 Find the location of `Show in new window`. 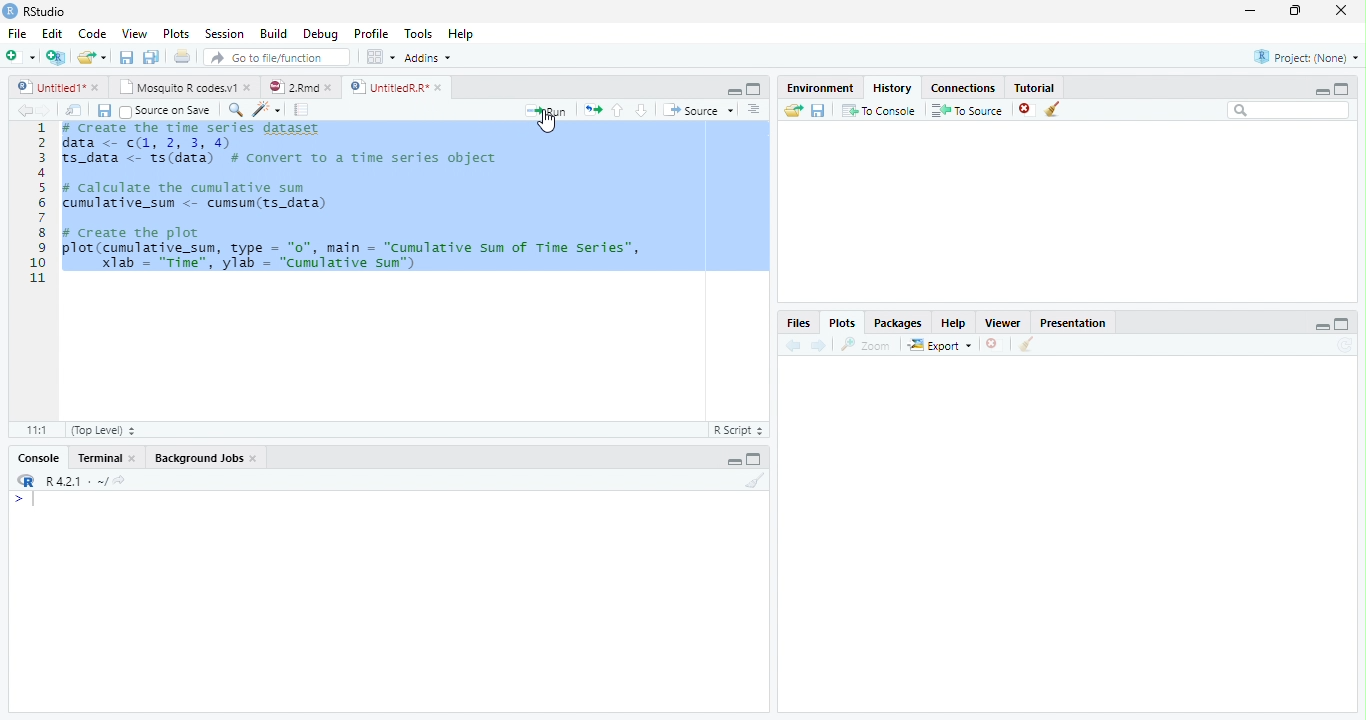

Show in new window is located at coordinates (73, 113).